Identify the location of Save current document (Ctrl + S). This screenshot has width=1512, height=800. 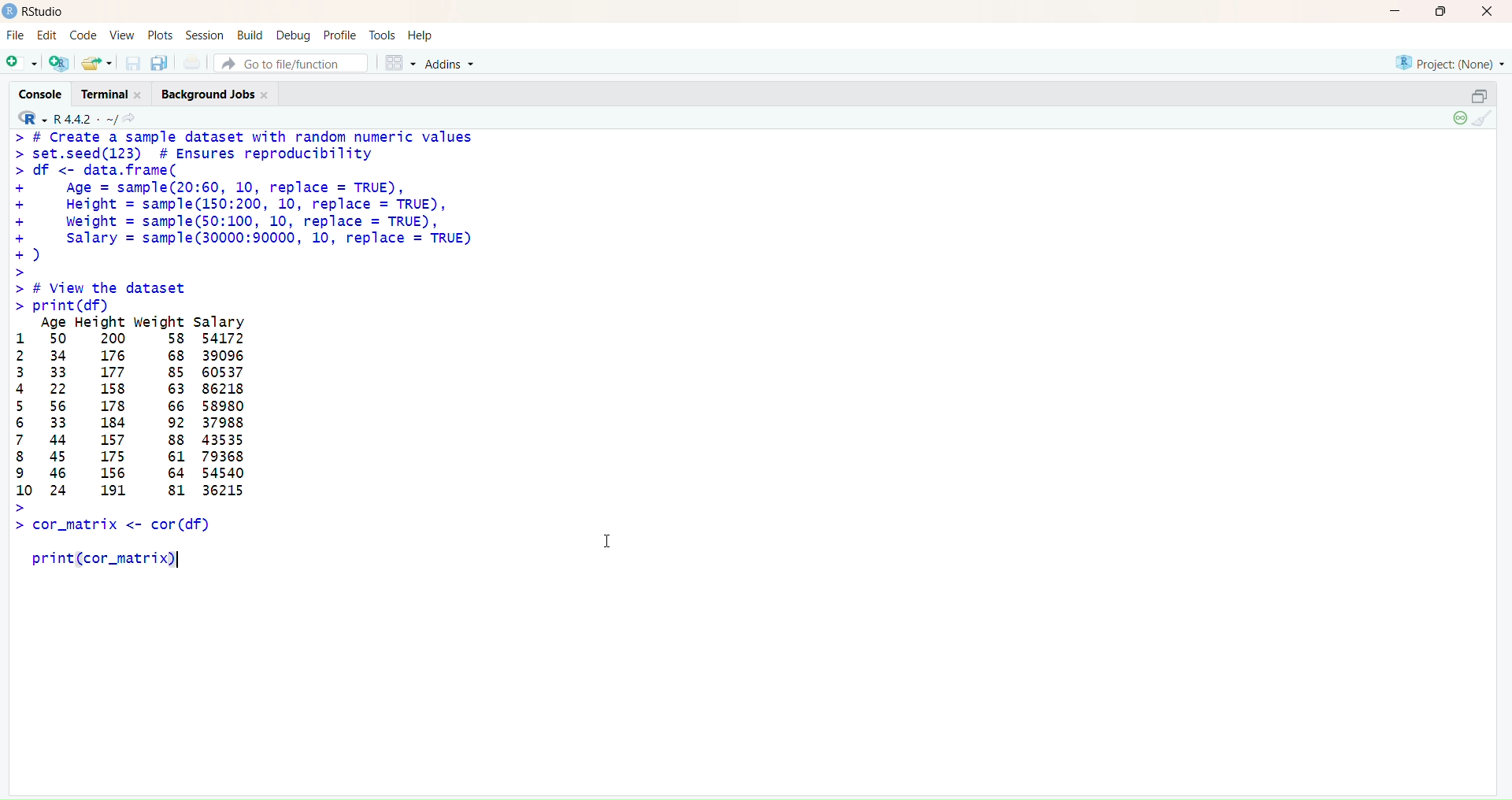
(132, 63).